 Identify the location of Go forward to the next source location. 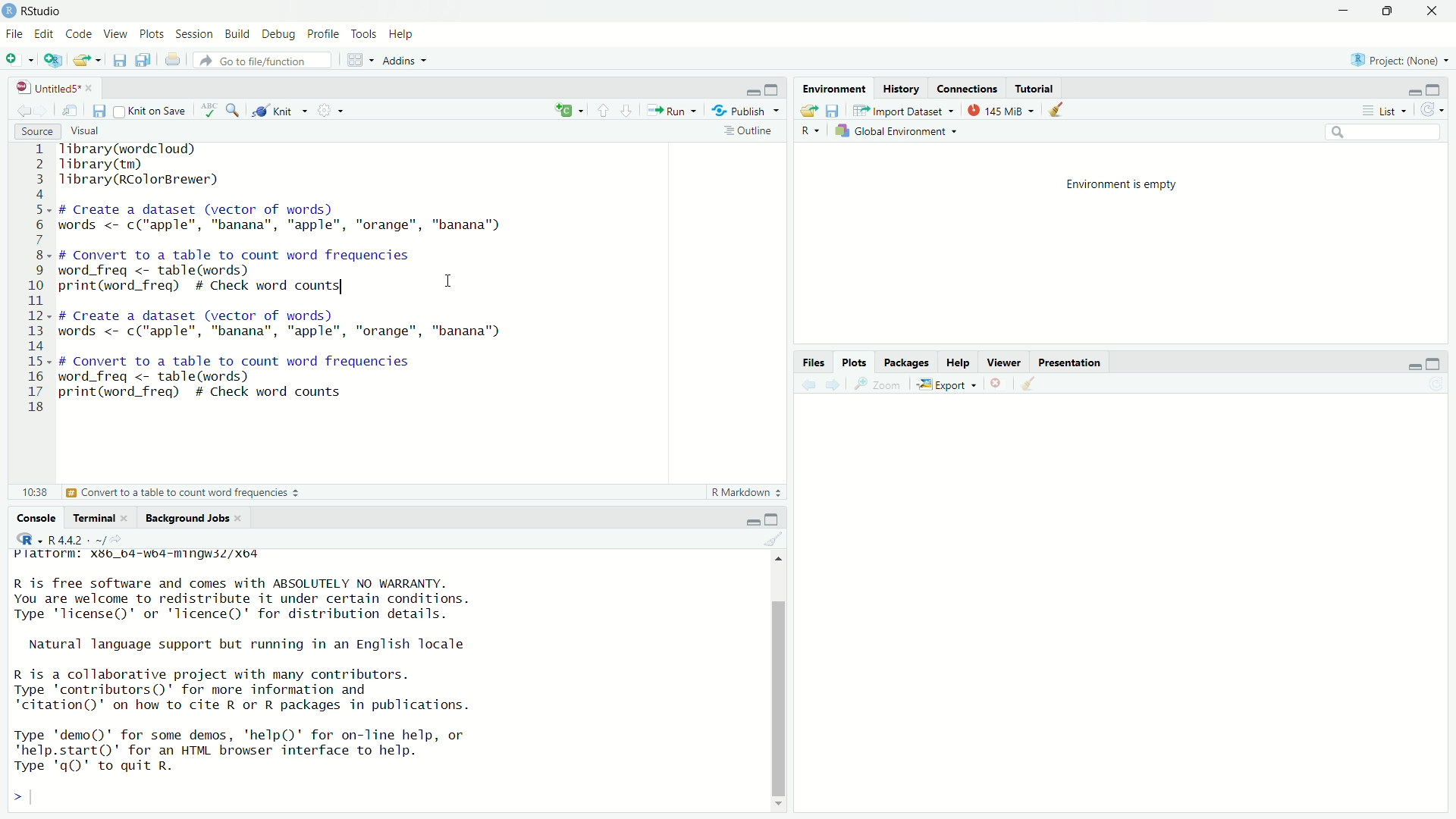
(45, 111).